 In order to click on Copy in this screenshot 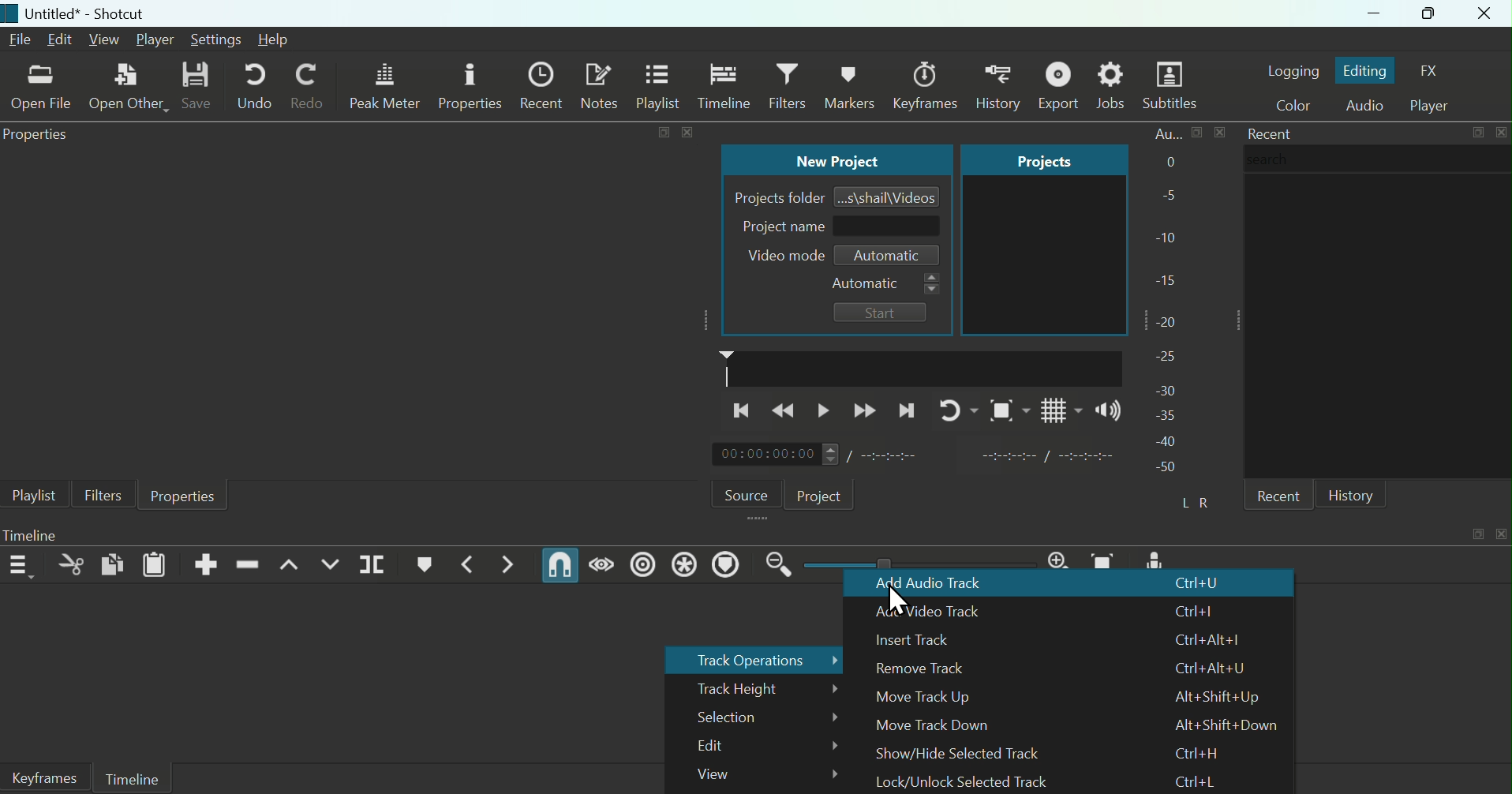, I will do `click(111, 566)`.